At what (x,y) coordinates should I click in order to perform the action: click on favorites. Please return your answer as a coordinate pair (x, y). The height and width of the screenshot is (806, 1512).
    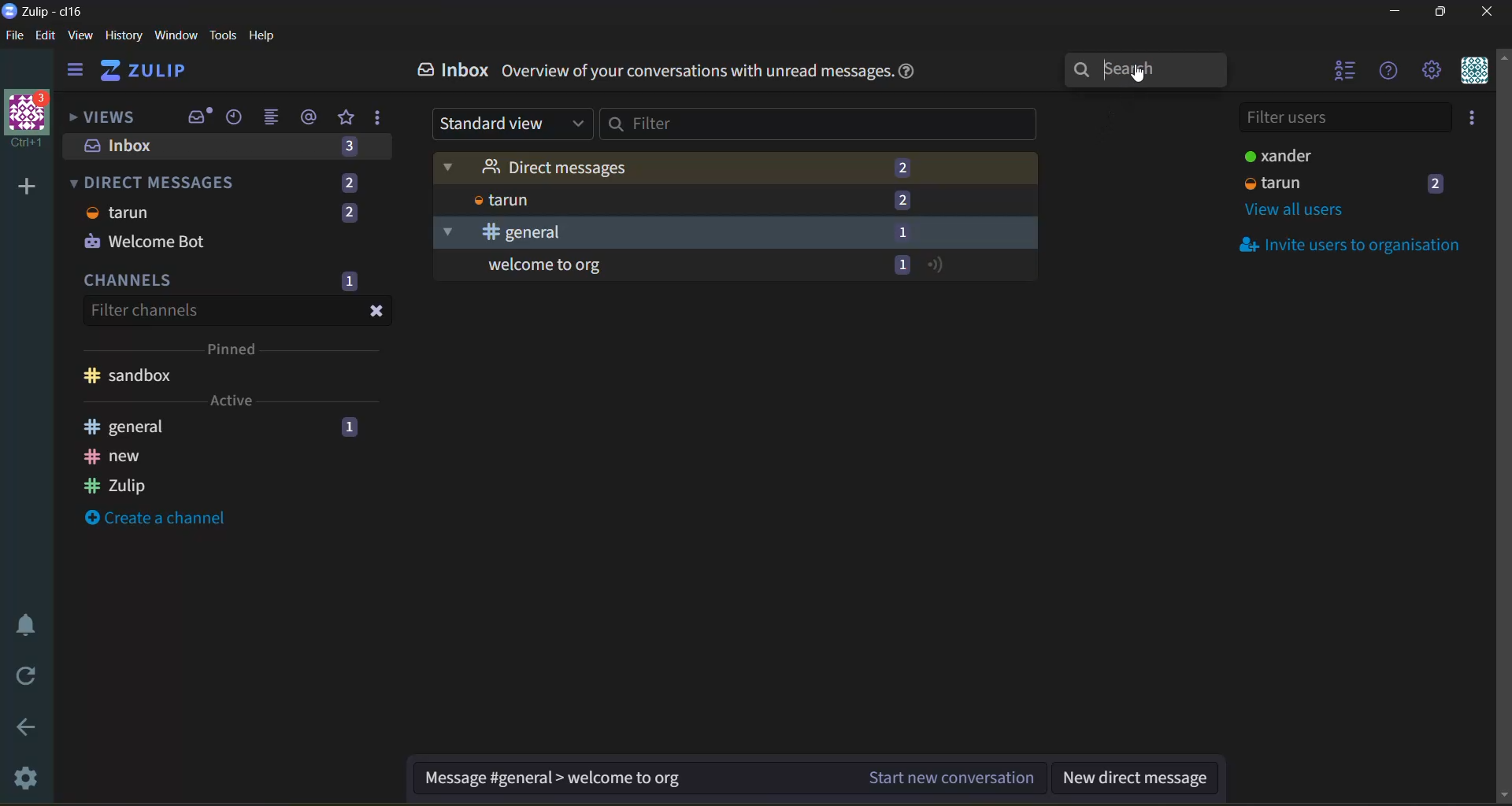
    Looking at the image, I should click on (348, 118).